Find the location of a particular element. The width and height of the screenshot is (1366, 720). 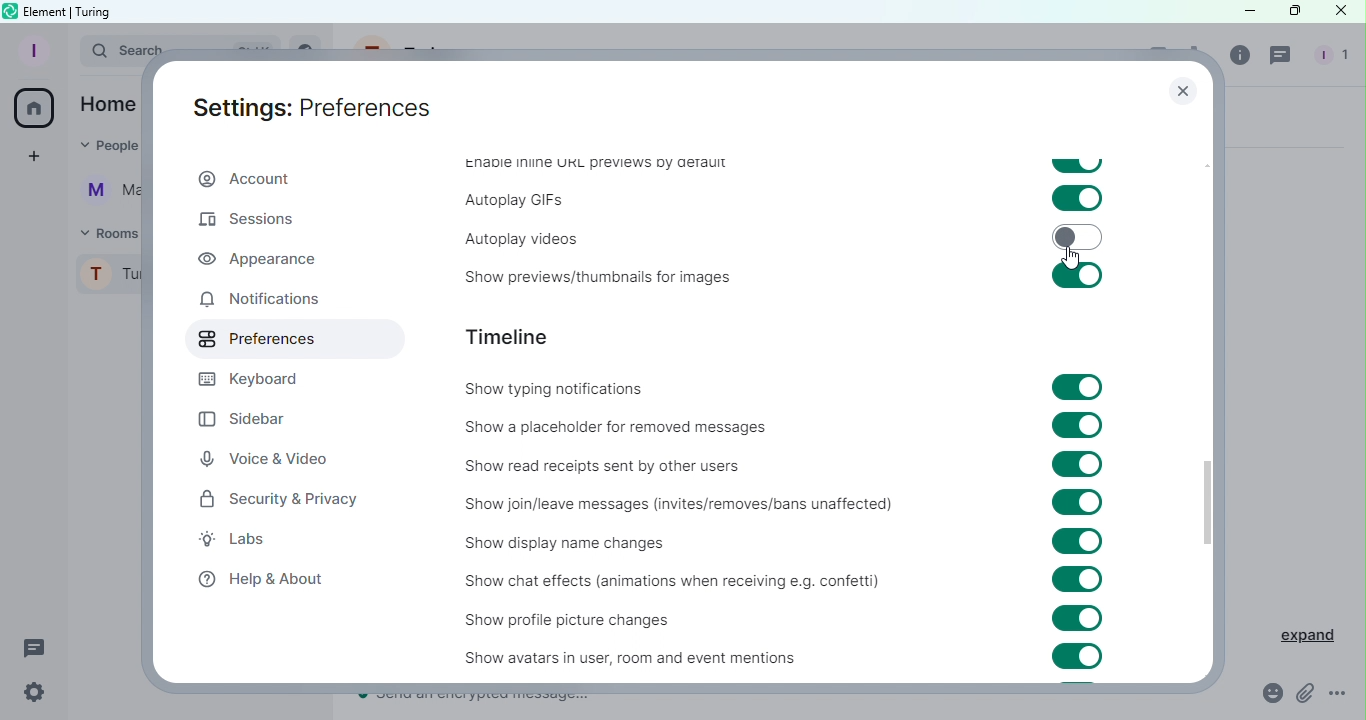

Toggle is located at coordinates (1077, 165).